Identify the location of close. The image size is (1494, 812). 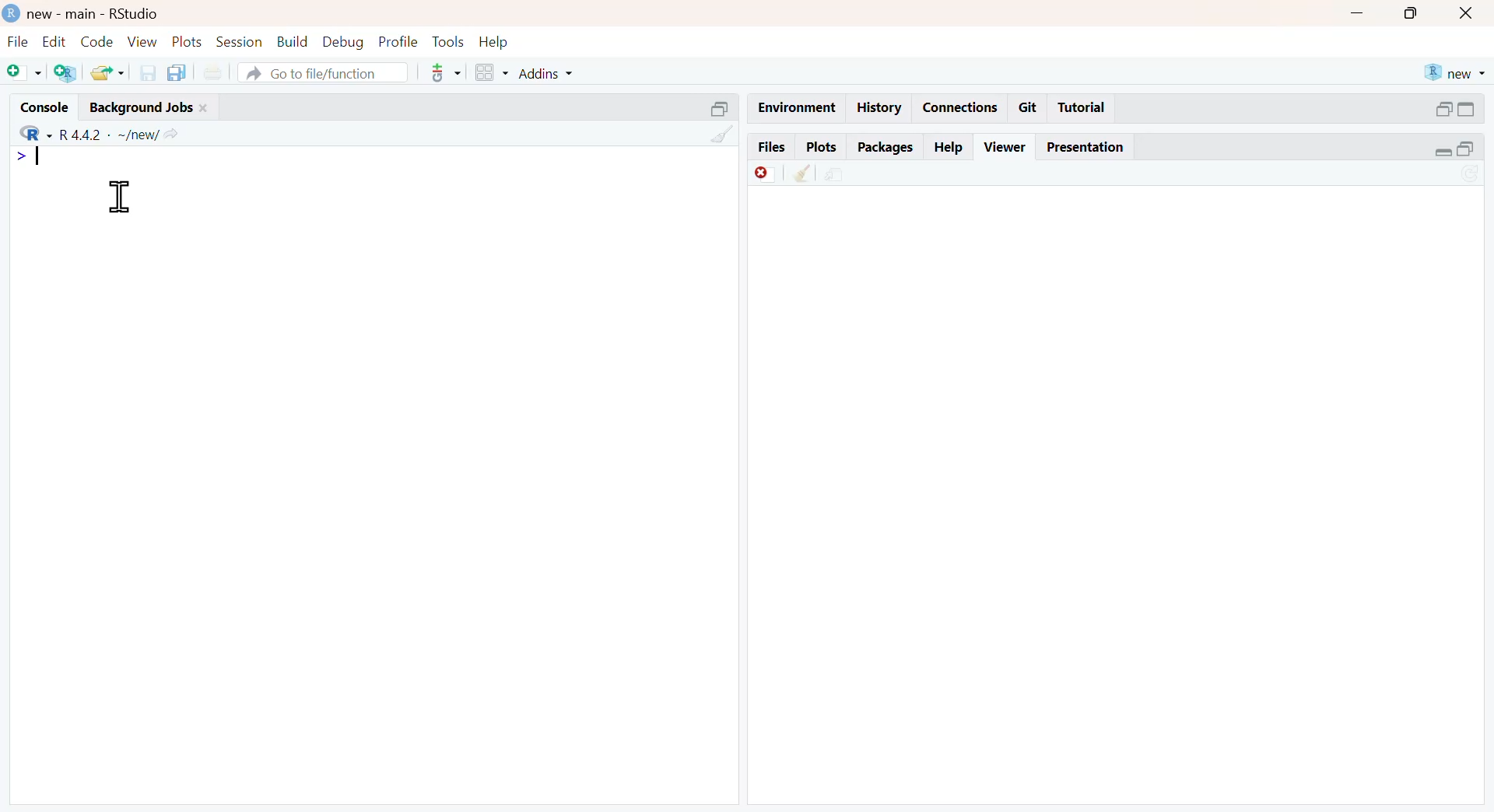
(205, 108).